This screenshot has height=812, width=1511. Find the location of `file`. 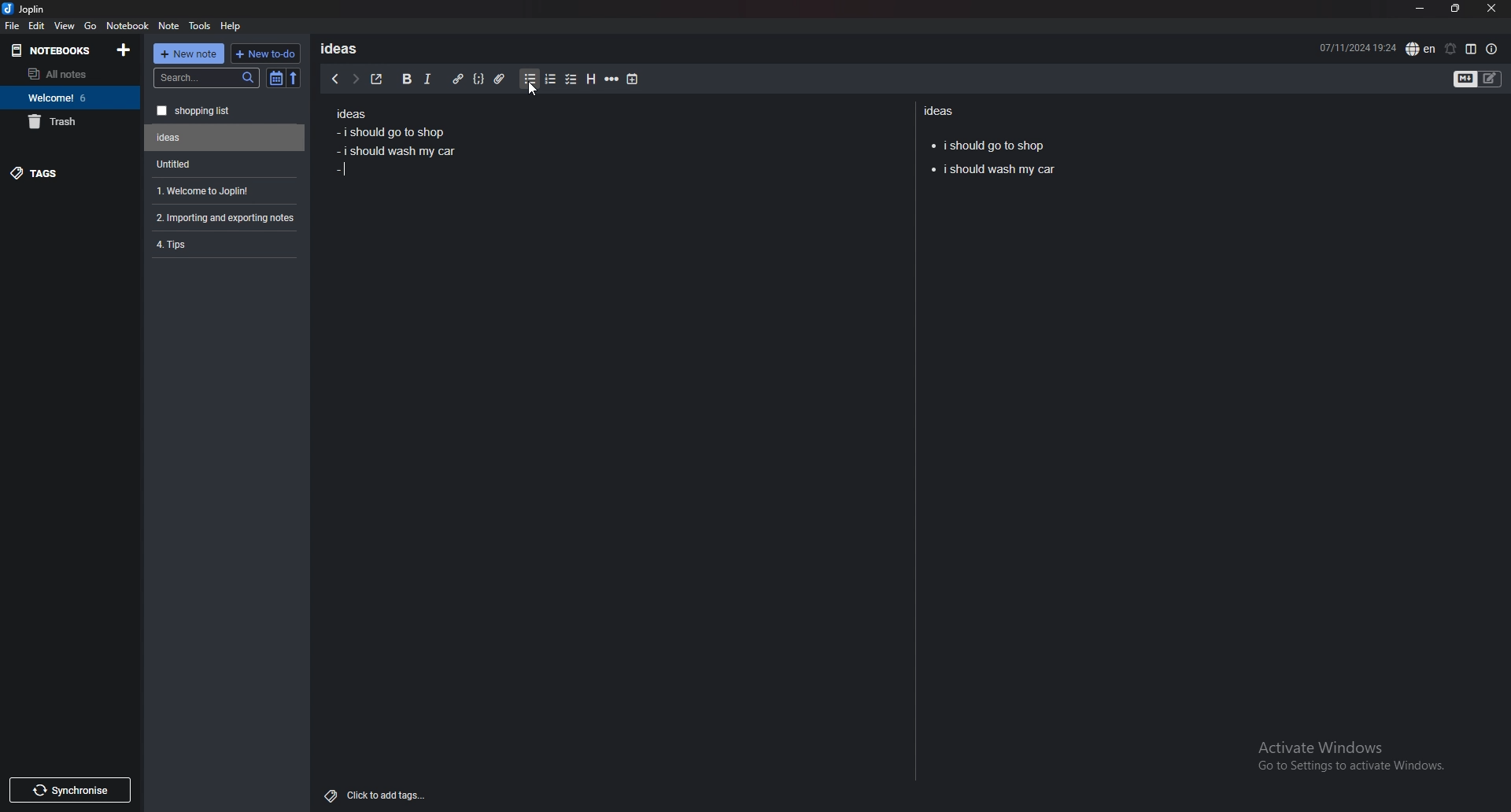

file is located at coordinates (12, 25).